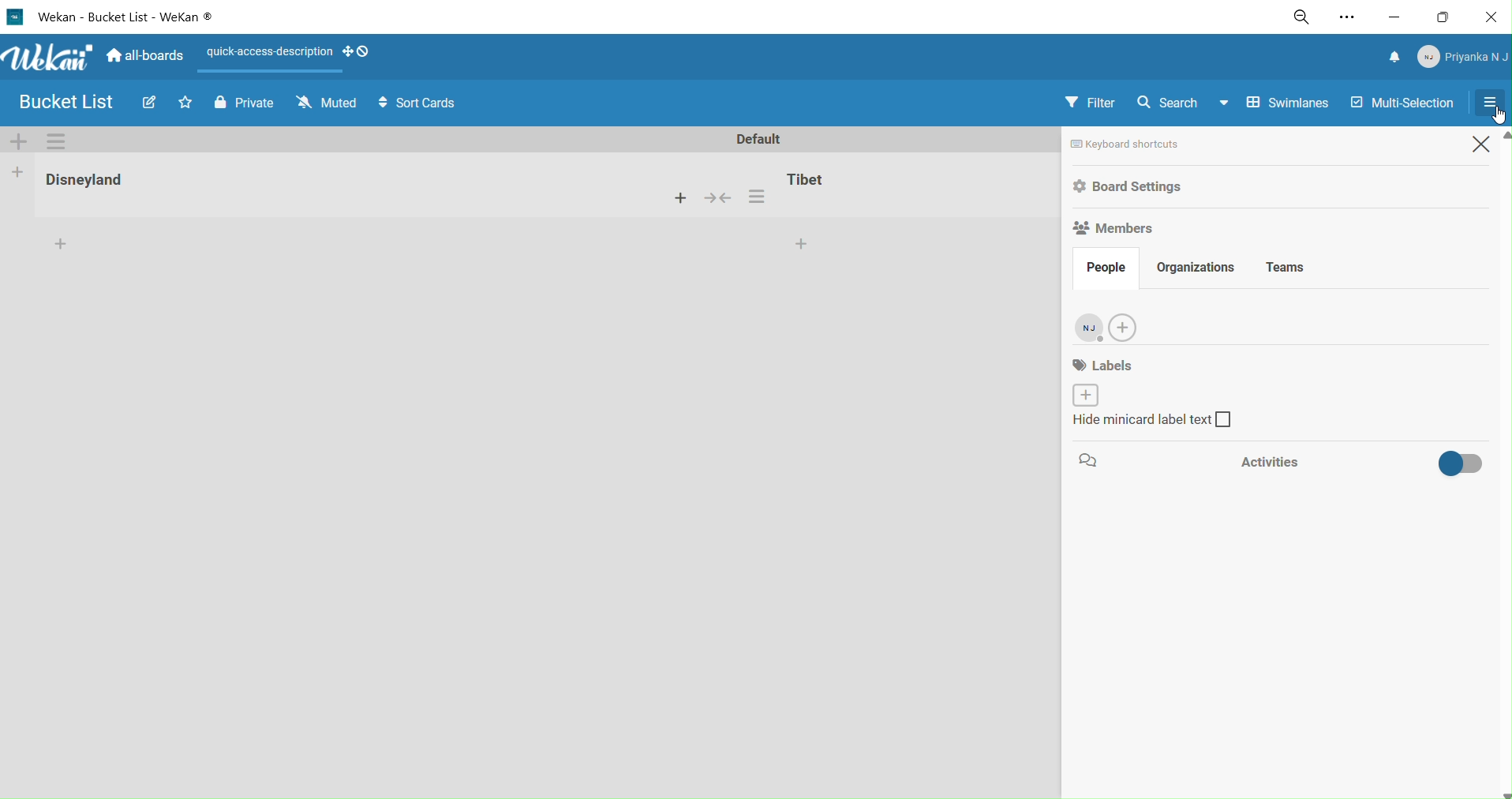  I want to click on keyboard shortcuts, so click(1141, 147).